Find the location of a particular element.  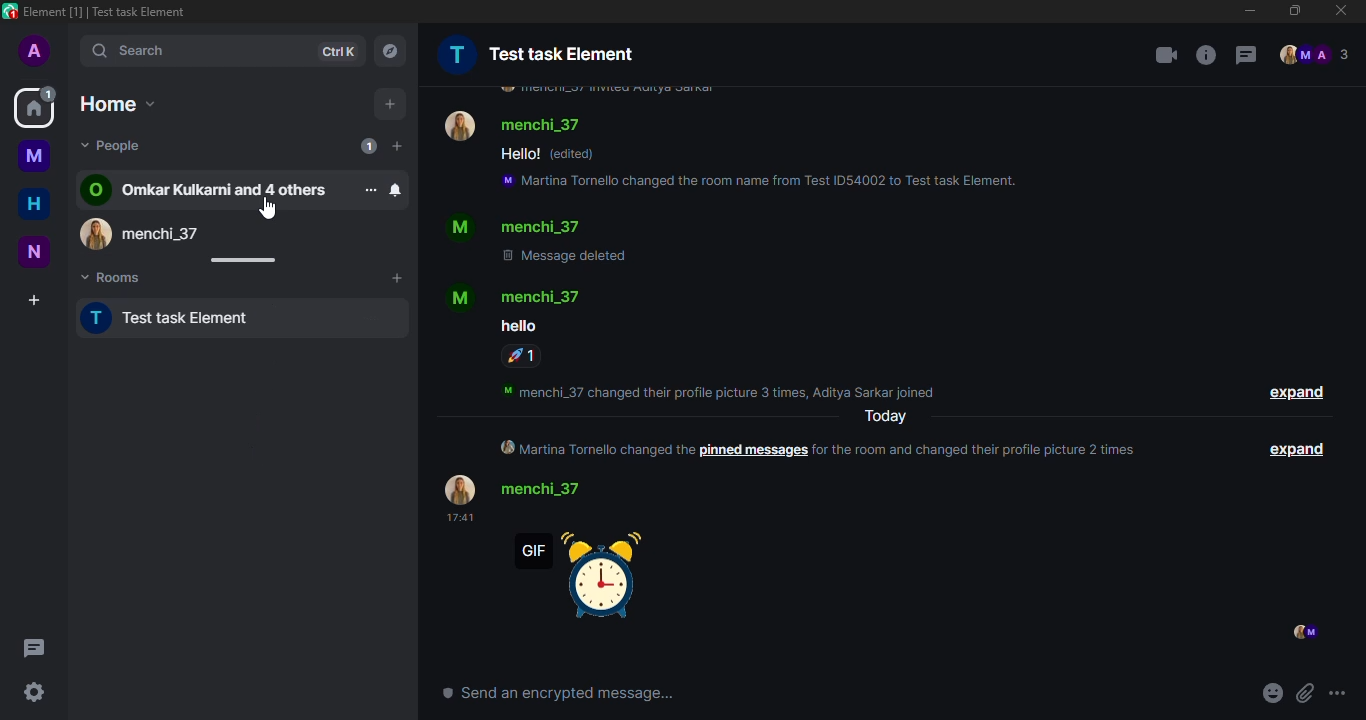

today is located at coordinates (882, 417).